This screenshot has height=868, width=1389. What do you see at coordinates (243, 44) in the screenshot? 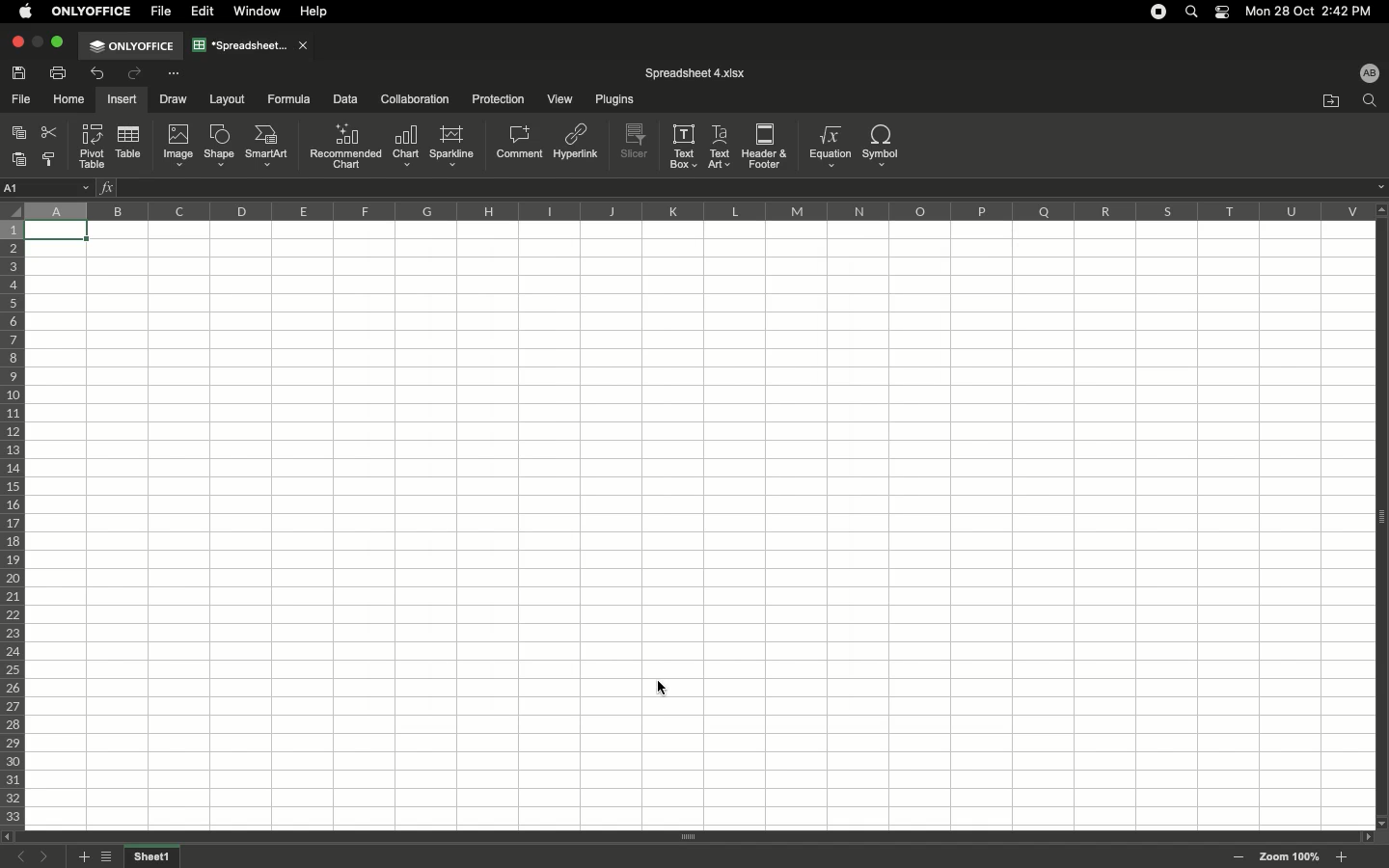
I see `Spreadsheet tab` at bounding box center [243, 44].